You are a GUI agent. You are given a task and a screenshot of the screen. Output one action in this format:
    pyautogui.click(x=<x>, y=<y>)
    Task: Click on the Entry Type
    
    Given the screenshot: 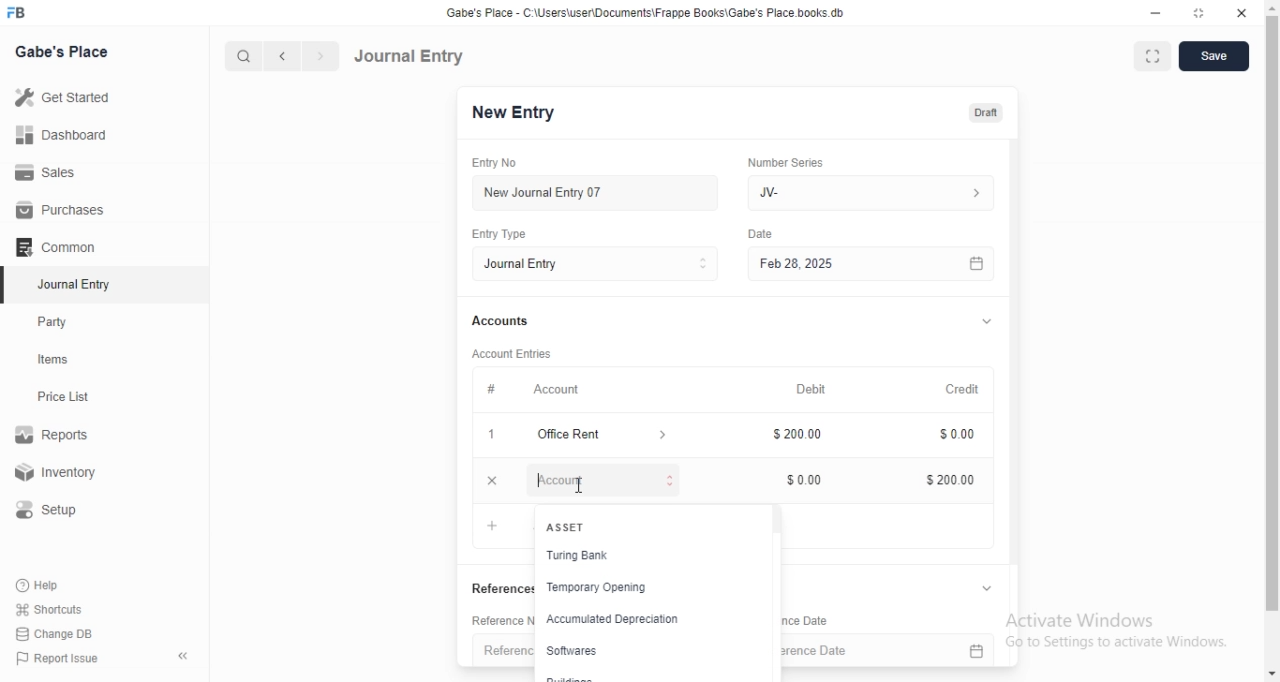 What is the action you would take?
    pyautogui.click(x=509, y=234)
    